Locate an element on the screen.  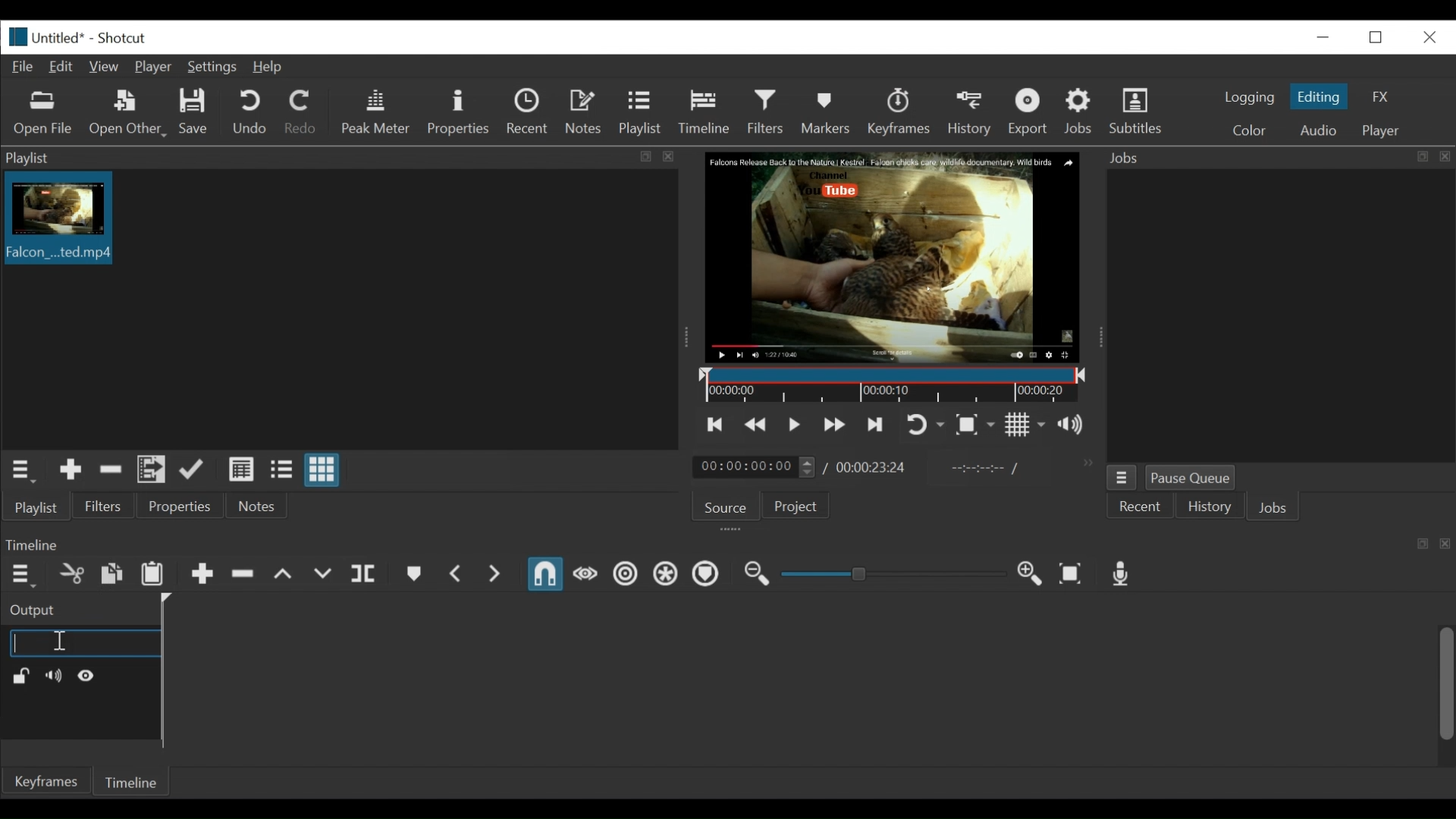
Jobs panel is located at coordinates (1272, 315).